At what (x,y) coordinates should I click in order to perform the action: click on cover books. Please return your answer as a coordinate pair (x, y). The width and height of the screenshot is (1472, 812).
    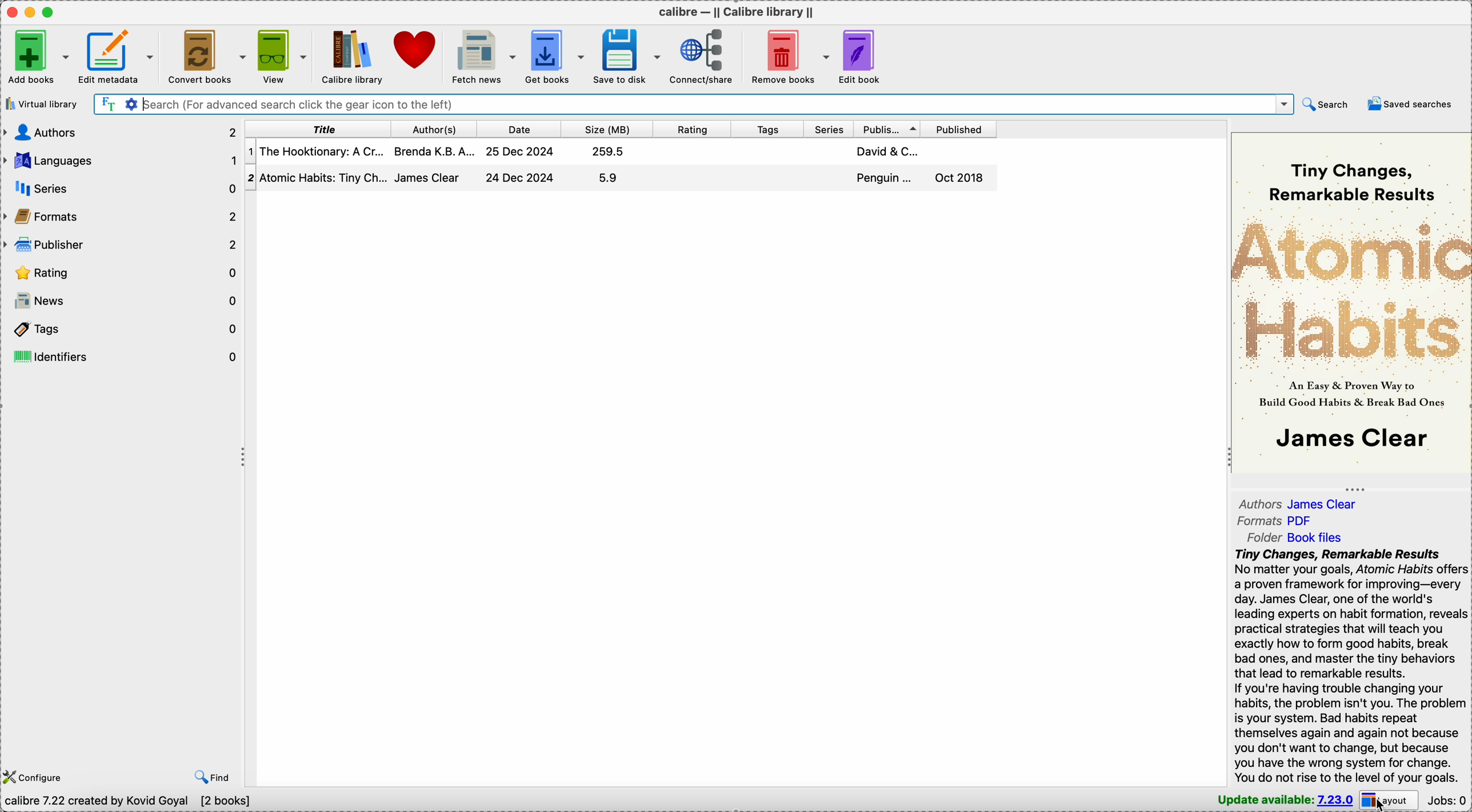
    Looking at the image, I should click on (206, 55).